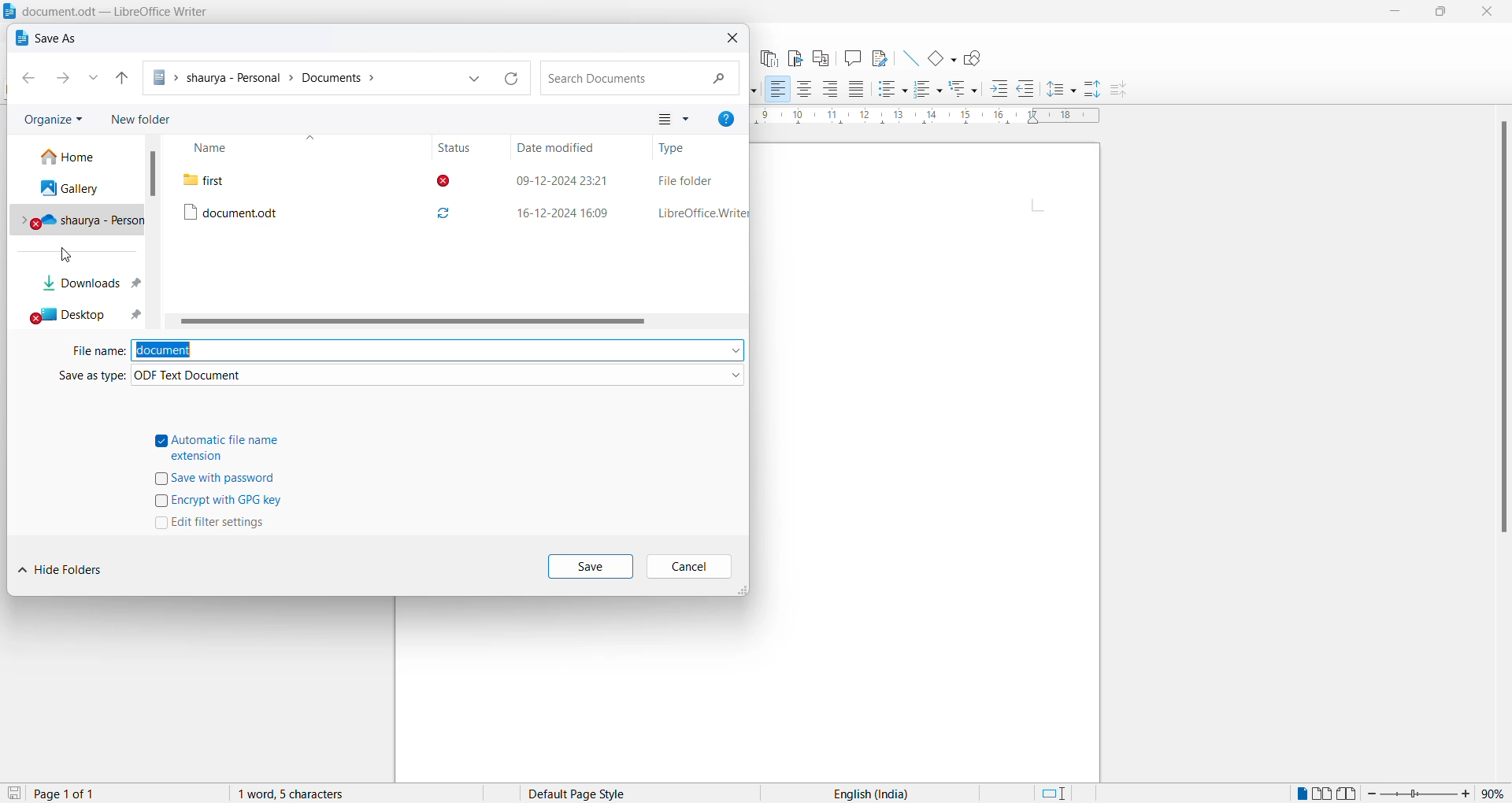 This screenshot has width=1512, height=803. Describe the element at coordinates (890, 90) in the screenshot. I see `Toggle unordered list` at that location.